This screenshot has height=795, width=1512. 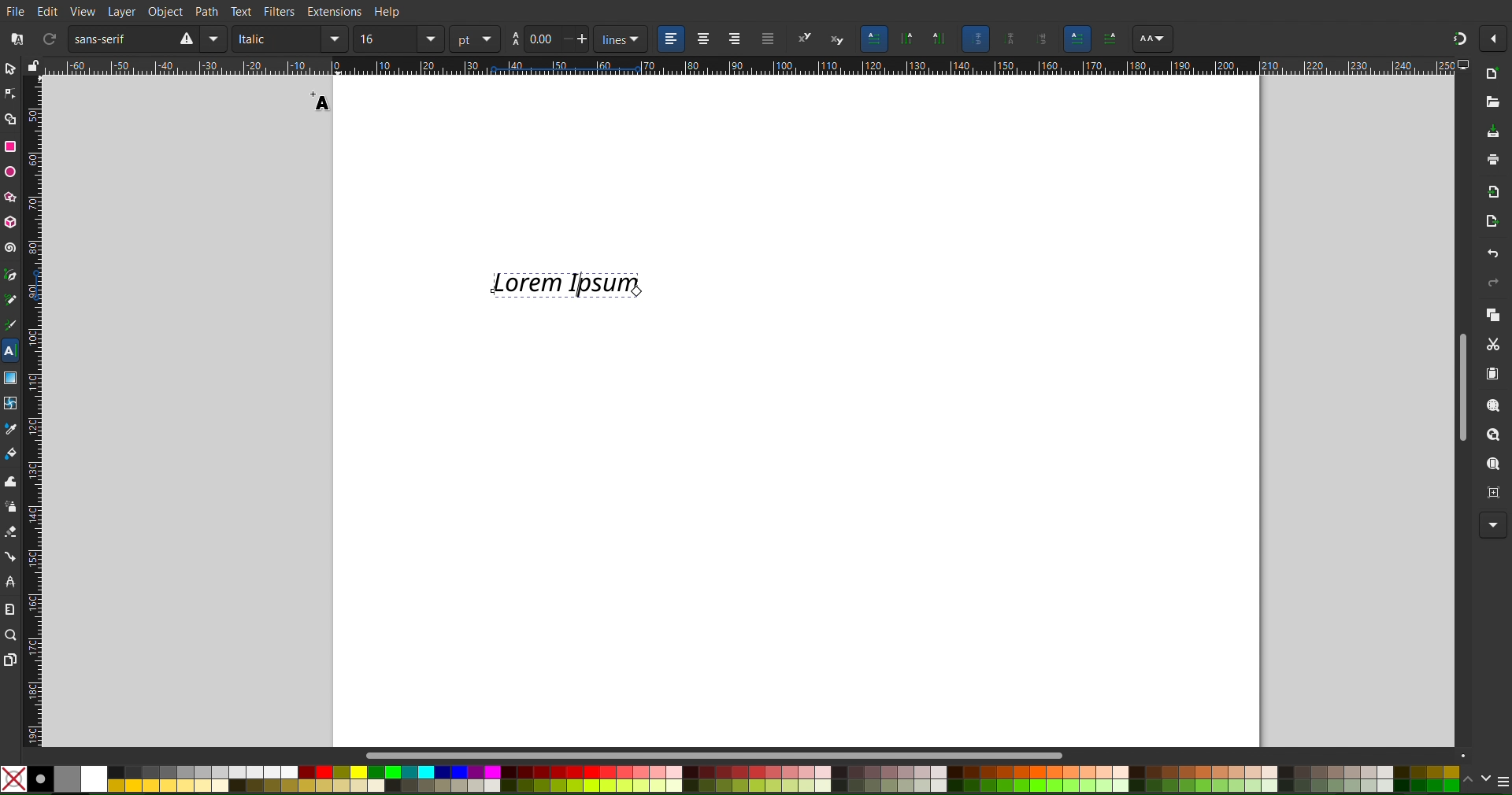 I want to click on Super script, so click(x=804, y=39).